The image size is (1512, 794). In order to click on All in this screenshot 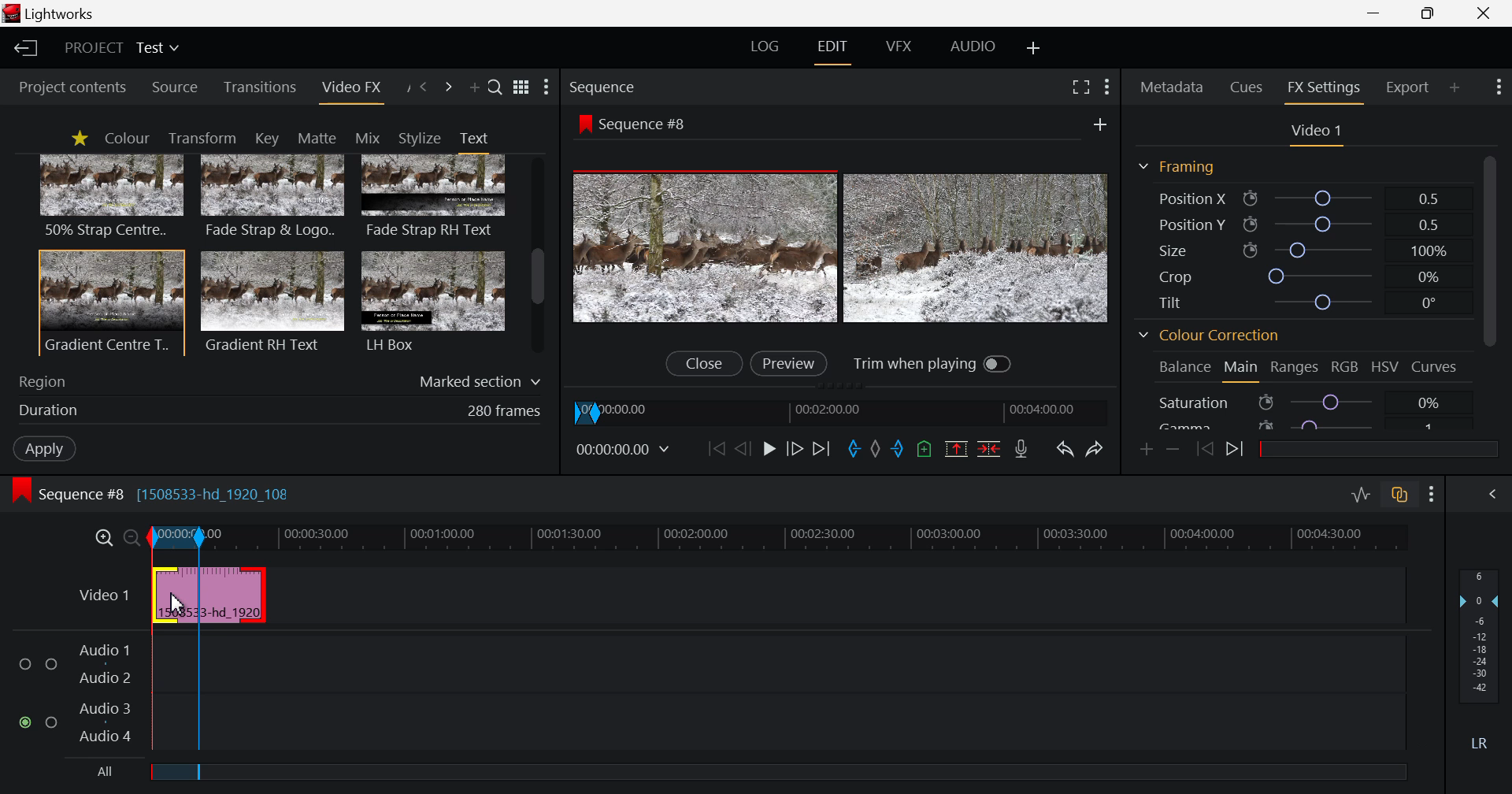, I will do `click(94, 774)`.